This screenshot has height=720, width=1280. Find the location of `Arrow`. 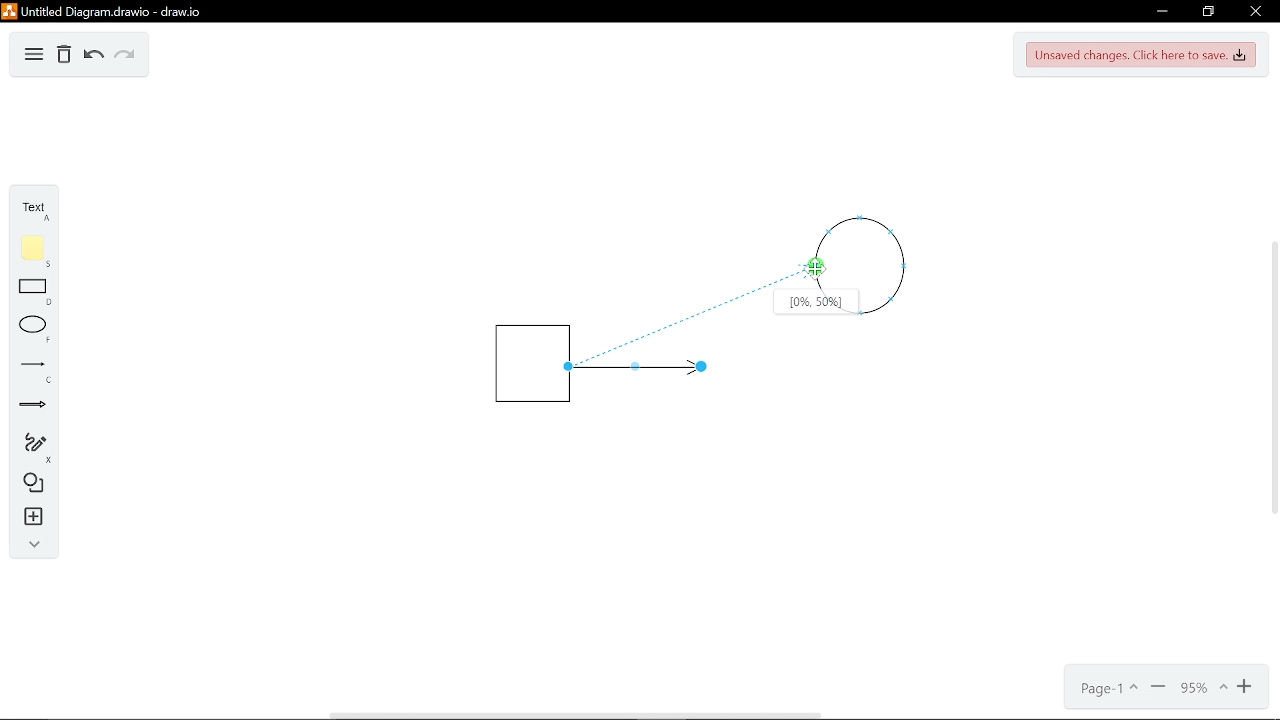

Arrow is located at coordinates (26, 406).